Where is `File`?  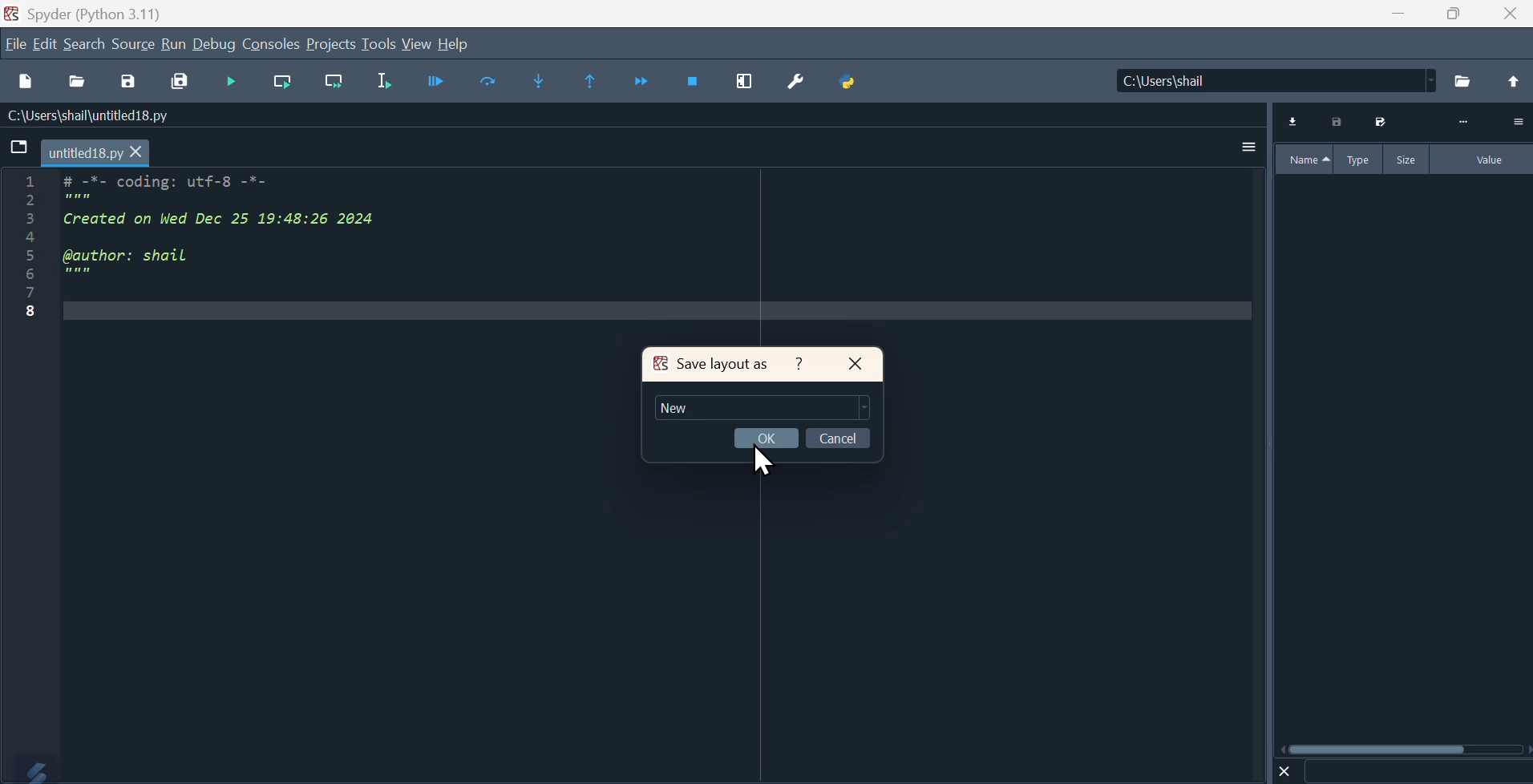 File is located at coordinates (20, 148).